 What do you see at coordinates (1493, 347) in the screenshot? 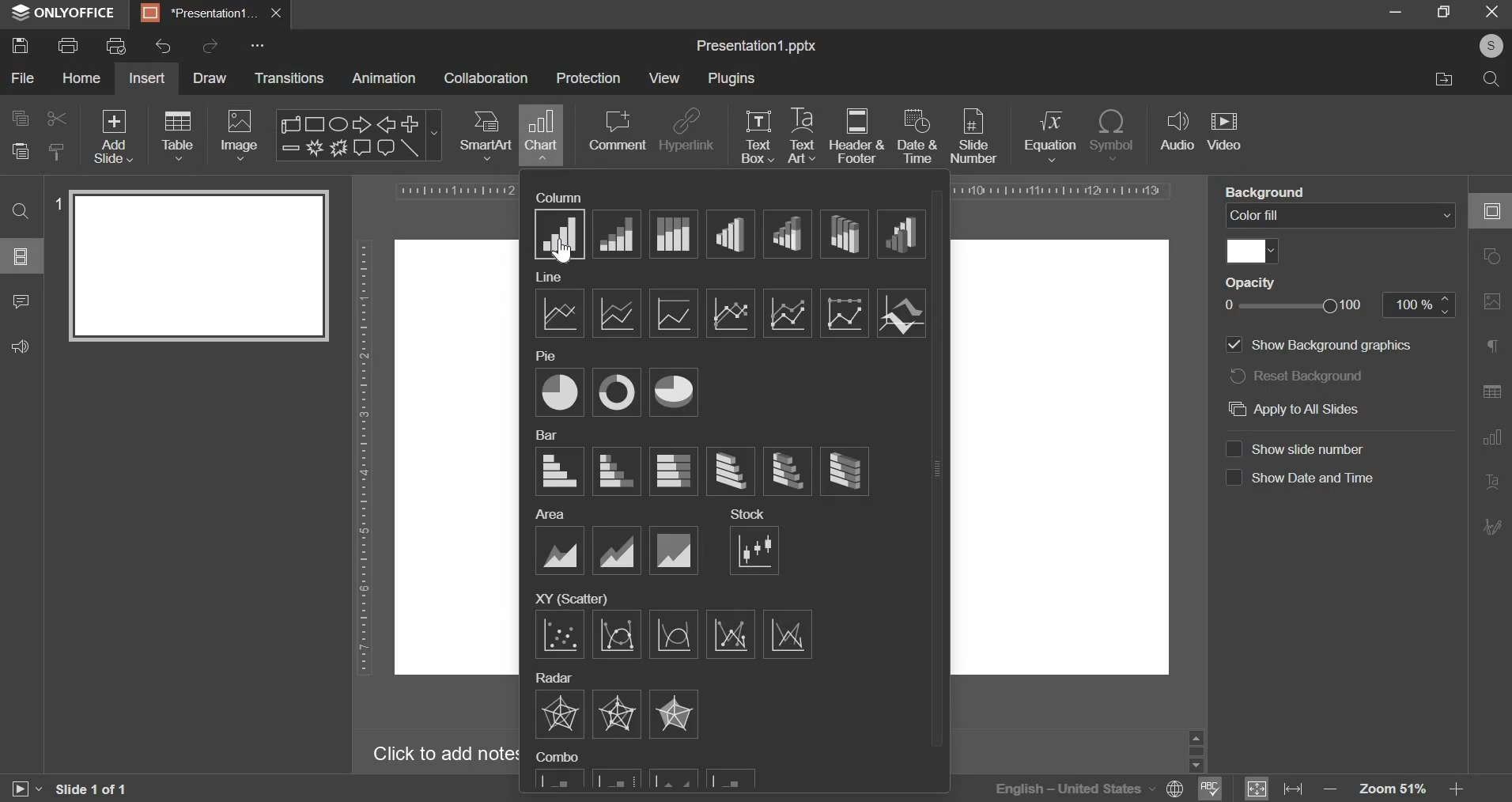
I see `paragraph settings` at bounding box center [1493, 347].